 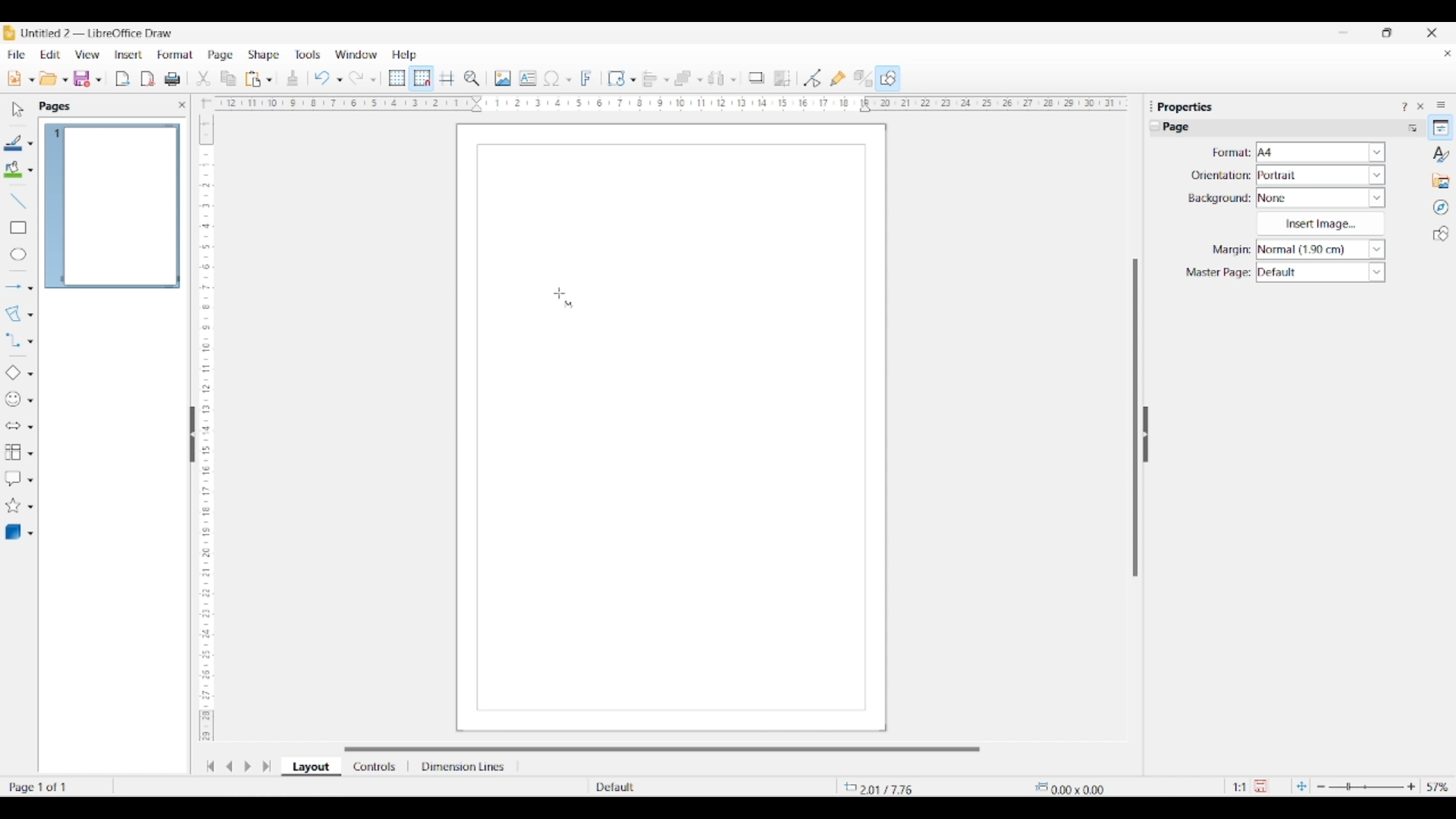 What do you see at coordinates (253, 79) in the screenshot?
I see `Selected paste options` at bounding box center [253, 79].